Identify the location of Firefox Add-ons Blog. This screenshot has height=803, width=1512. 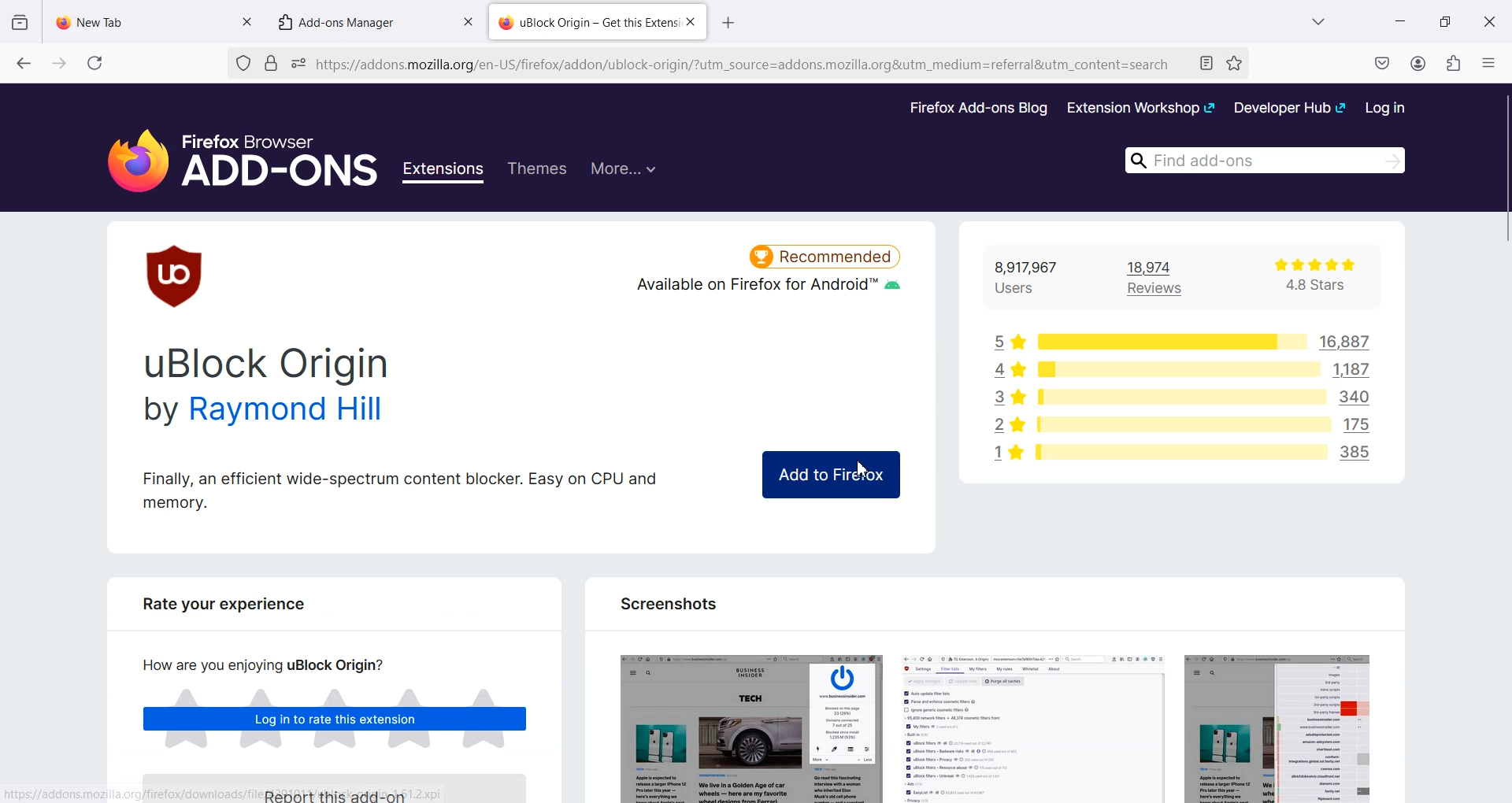
(979, 109).